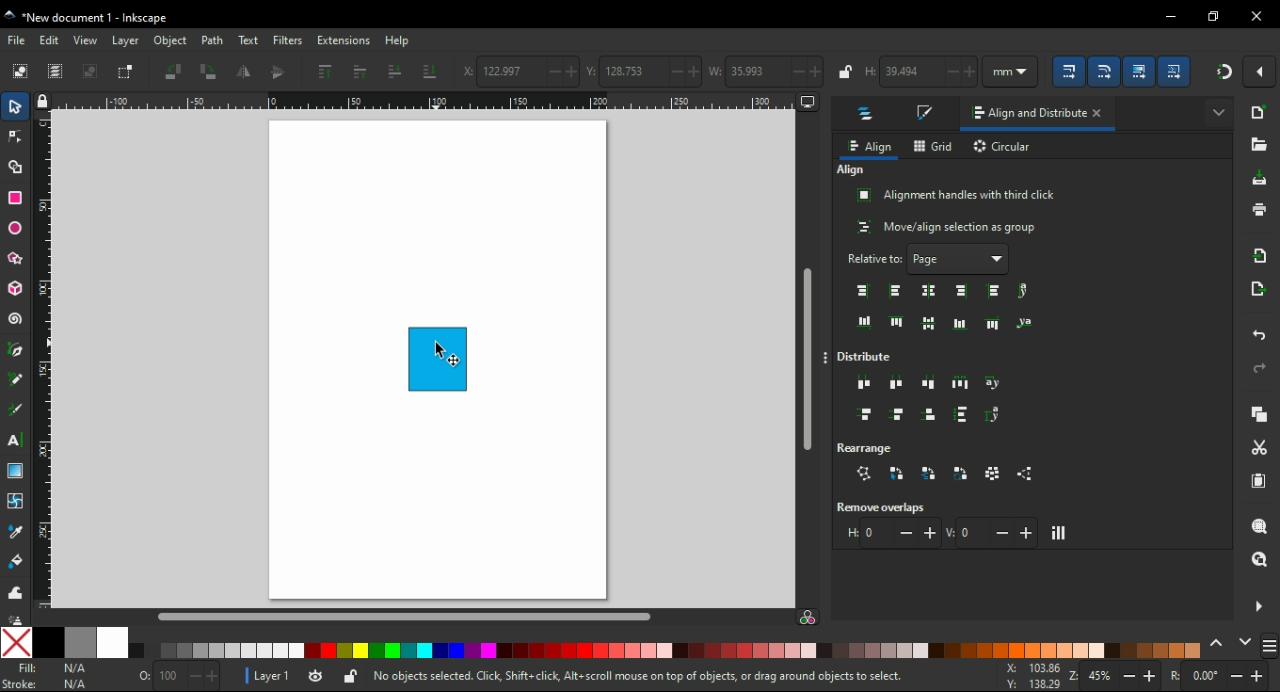  Describe the element at coordinates (1220, 112) in the screenshot. I see `show` at that location.